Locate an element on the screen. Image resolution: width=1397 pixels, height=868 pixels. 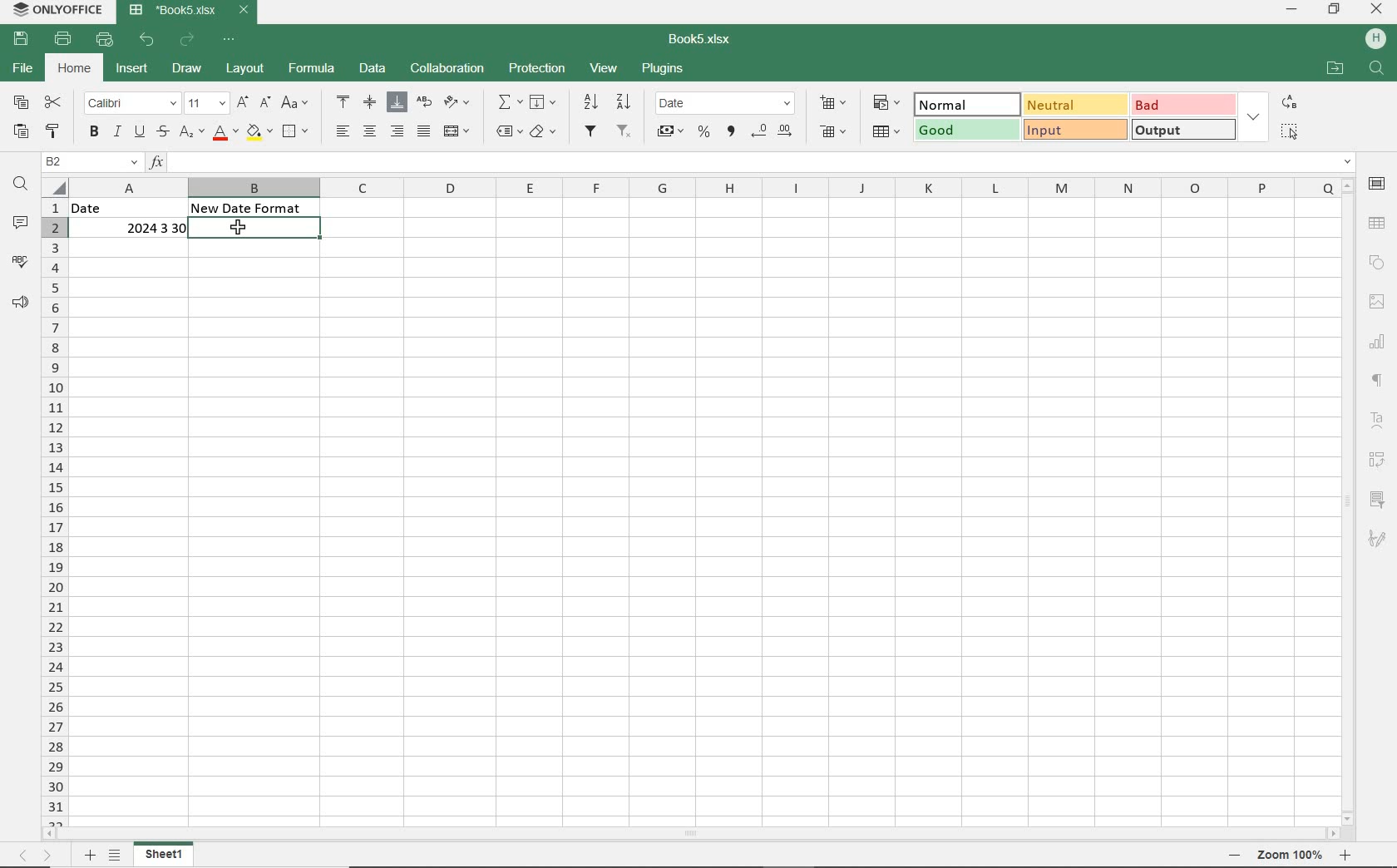
REPLACE is located at coordinates (1289, 103).